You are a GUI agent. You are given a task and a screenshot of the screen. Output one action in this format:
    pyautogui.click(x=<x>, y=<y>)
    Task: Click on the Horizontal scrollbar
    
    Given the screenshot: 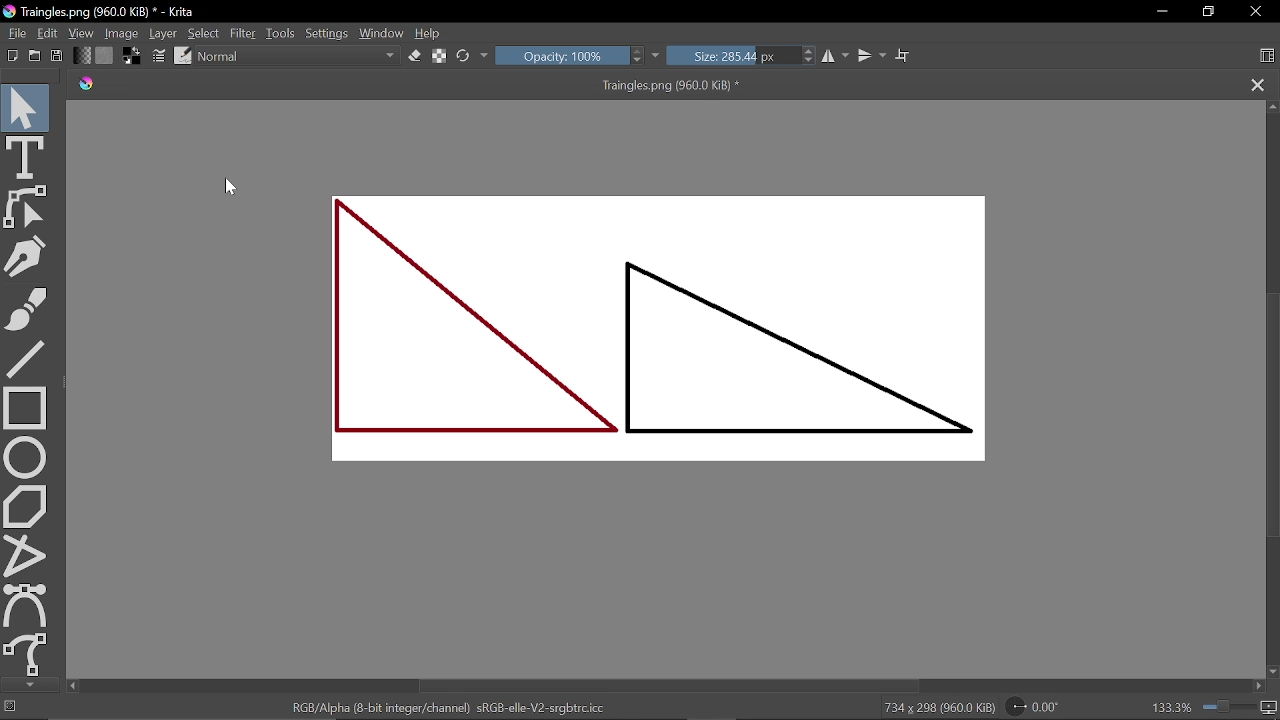 What is the action you would take?
    pyautogui.click(x=666, y=686)
    